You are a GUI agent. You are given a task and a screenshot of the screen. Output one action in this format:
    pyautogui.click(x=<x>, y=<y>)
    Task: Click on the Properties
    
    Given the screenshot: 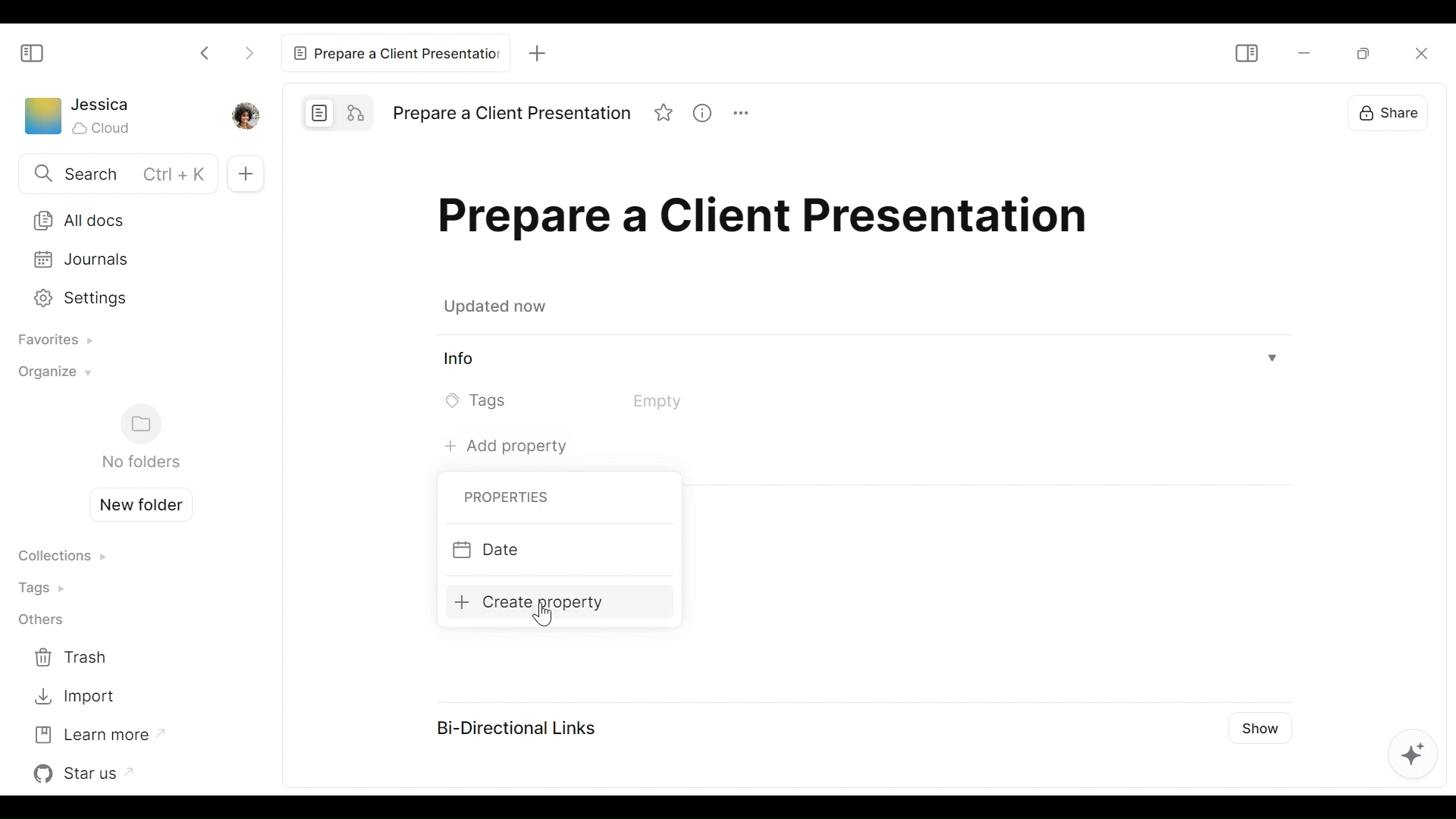 What is the action you would take?
    pyautogui.click(x=503, y=498)
    